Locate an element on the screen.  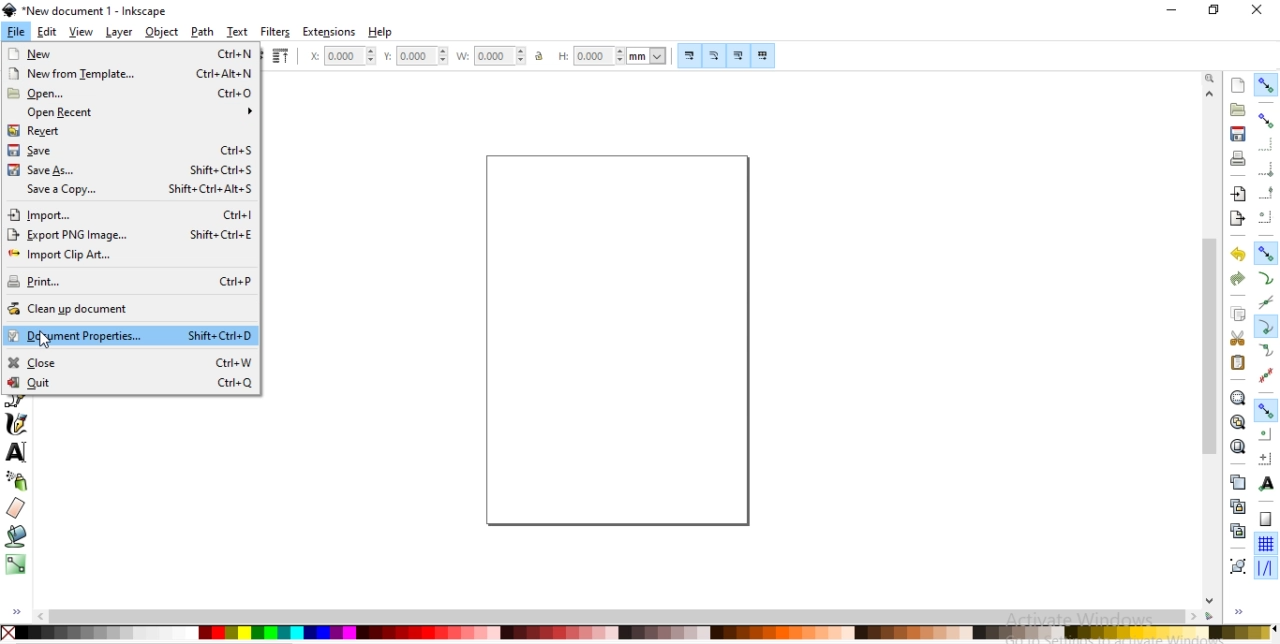
path is located at coordinates (204, 32).